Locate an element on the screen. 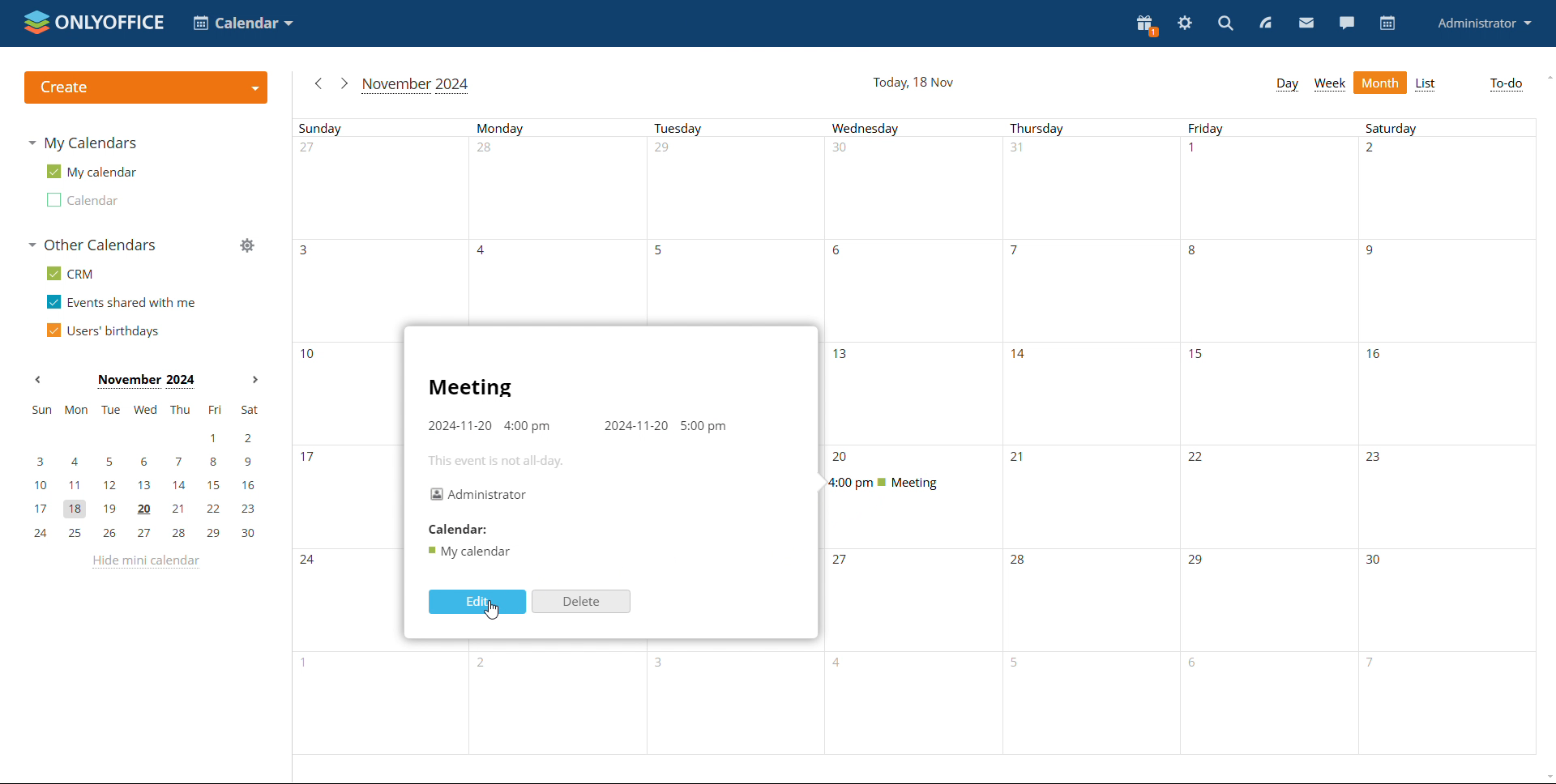 The width and height of the screenshot is (1556, 784). calendar is located at coordinates (1389, 23).